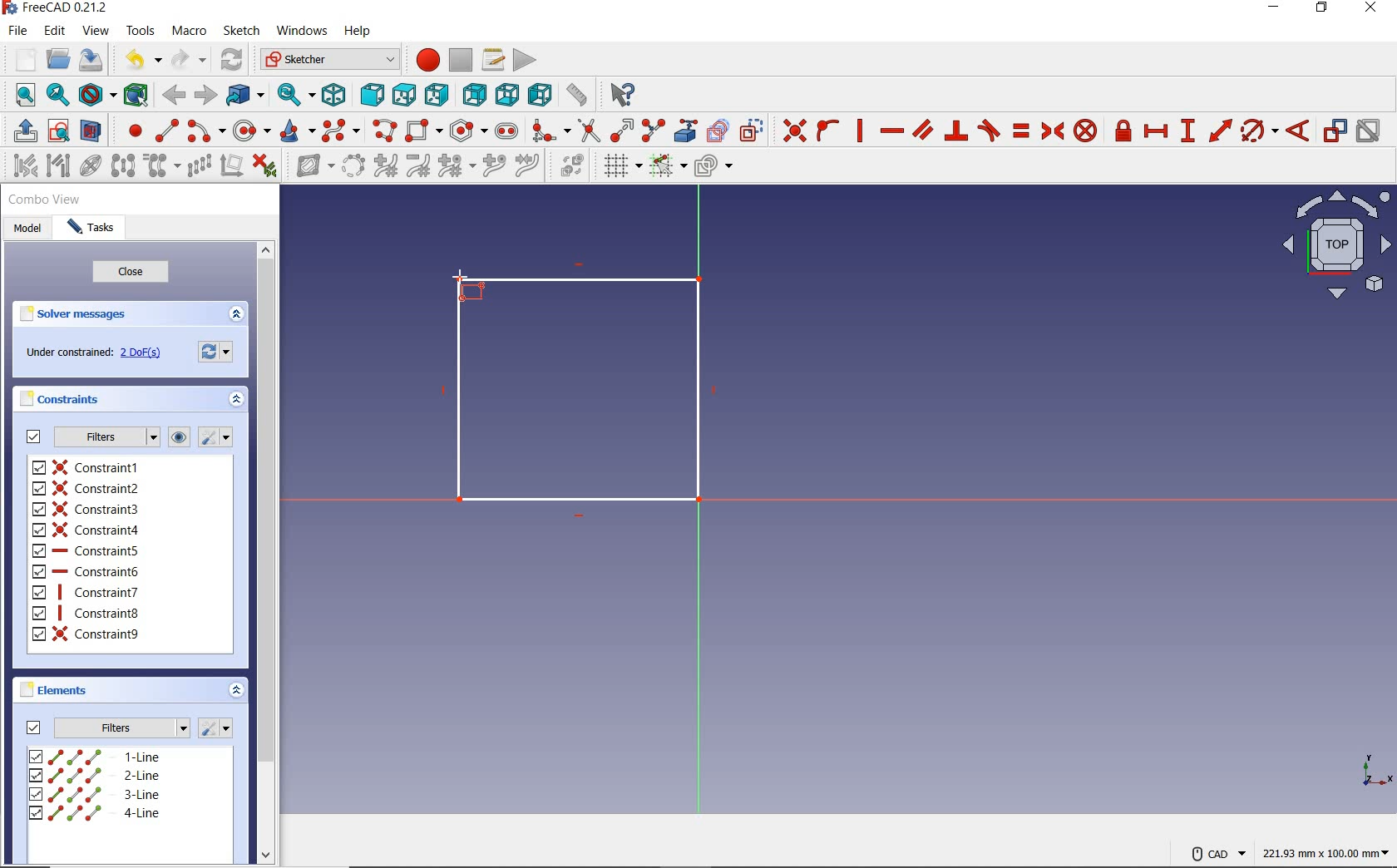 The image size is (1397, 868). I want to click on new, so click(19, 59).